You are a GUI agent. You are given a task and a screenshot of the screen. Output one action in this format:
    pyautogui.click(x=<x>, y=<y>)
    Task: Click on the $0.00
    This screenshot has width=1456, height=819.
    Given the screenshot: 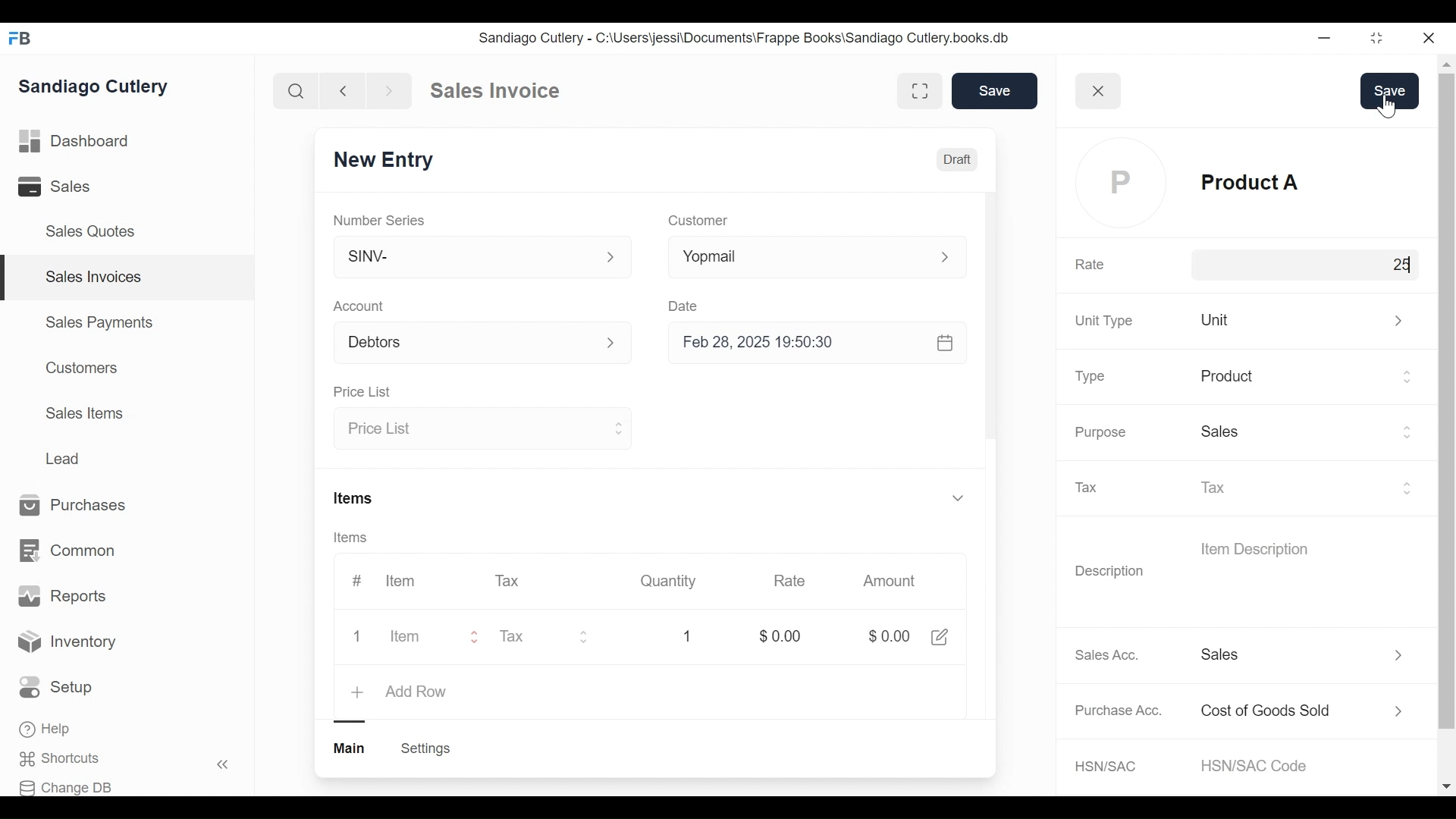 What is the action you would take?
    pyautogui.click(x=886, y=636)
    